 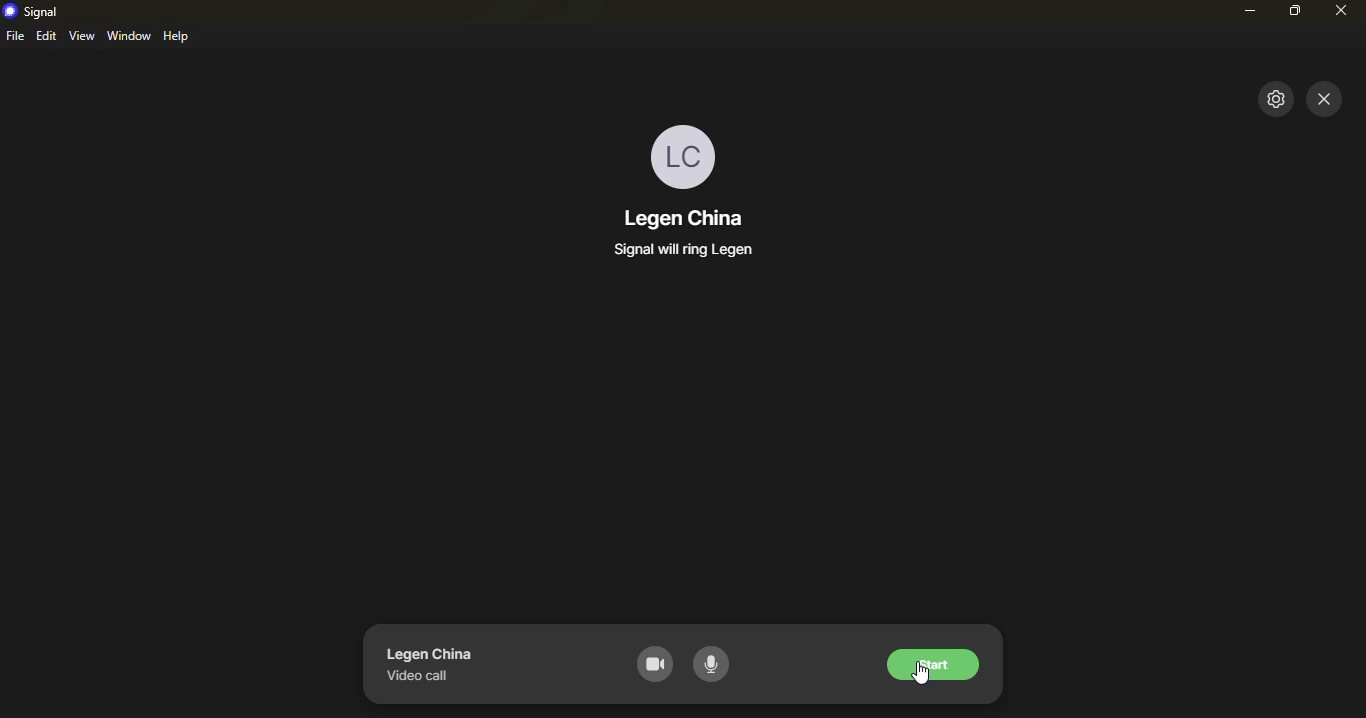 What do you see at coordinates (932, 665) in the screenshot?
I see `start` at bounding box center [932, 665].